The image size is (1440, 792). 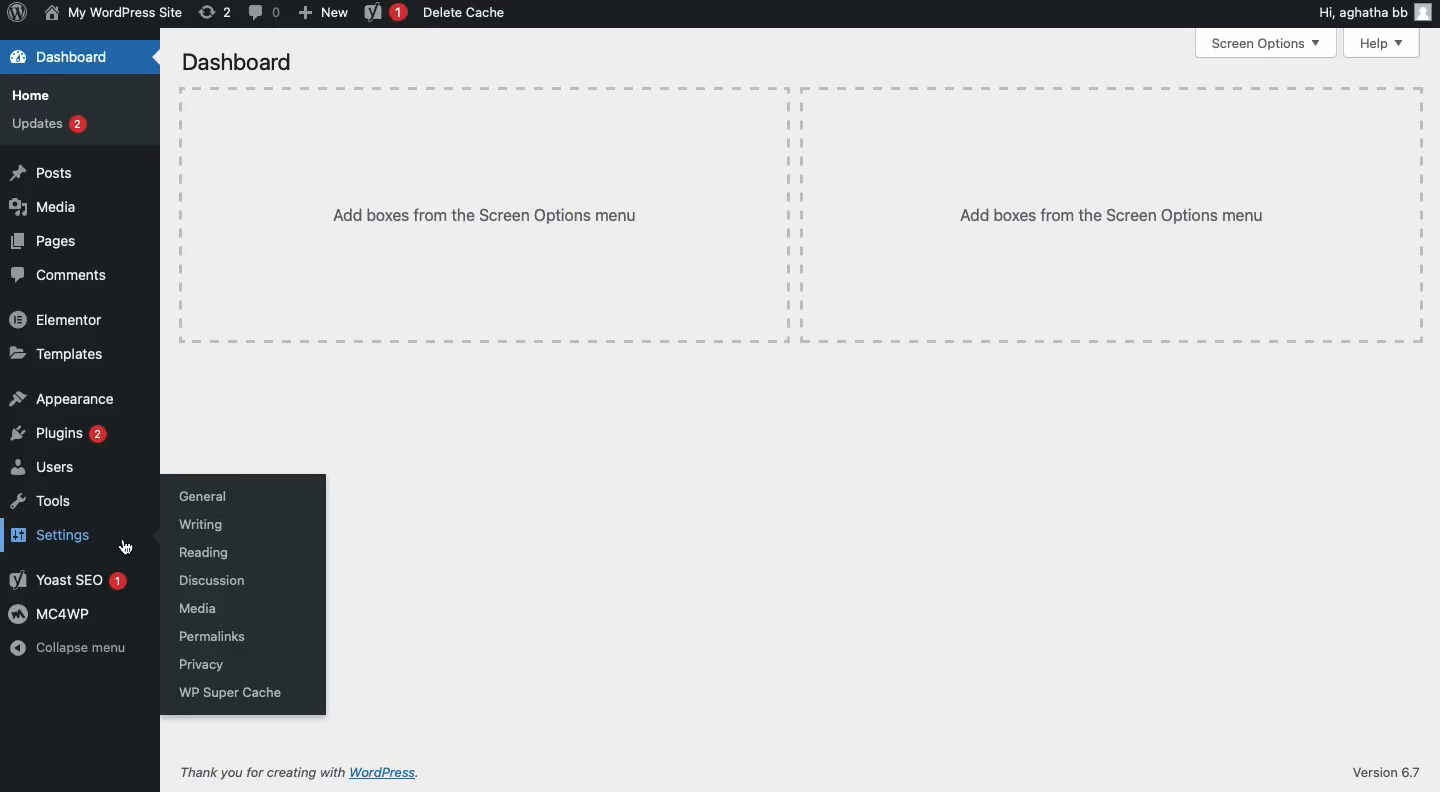 What do you see at coordinates (65, 58) in the screenshot?
I see `Dashboard` at bounding box center [65, 58].